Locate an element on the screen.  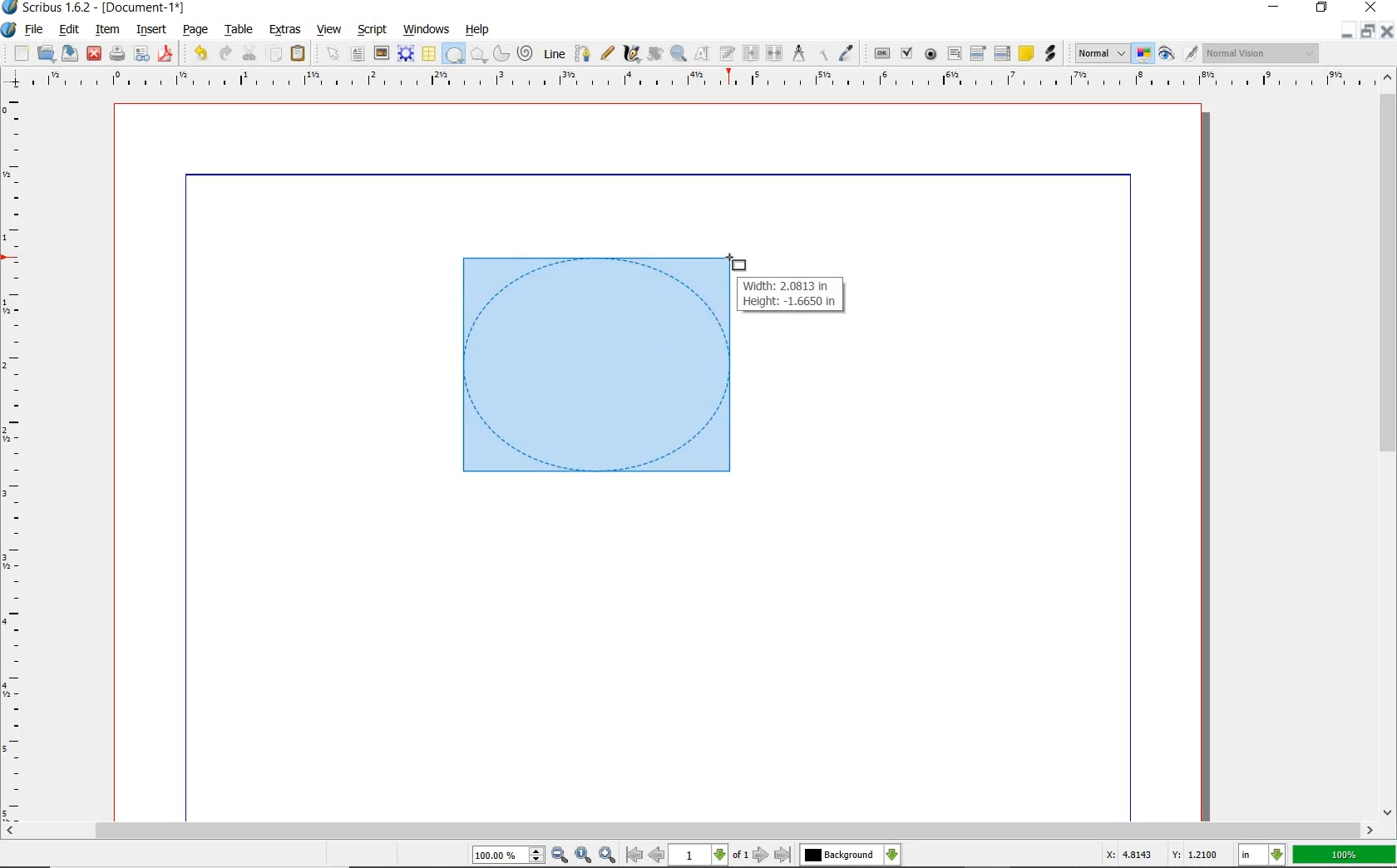
SCROLLBAR is located at coordinates (689, 831).